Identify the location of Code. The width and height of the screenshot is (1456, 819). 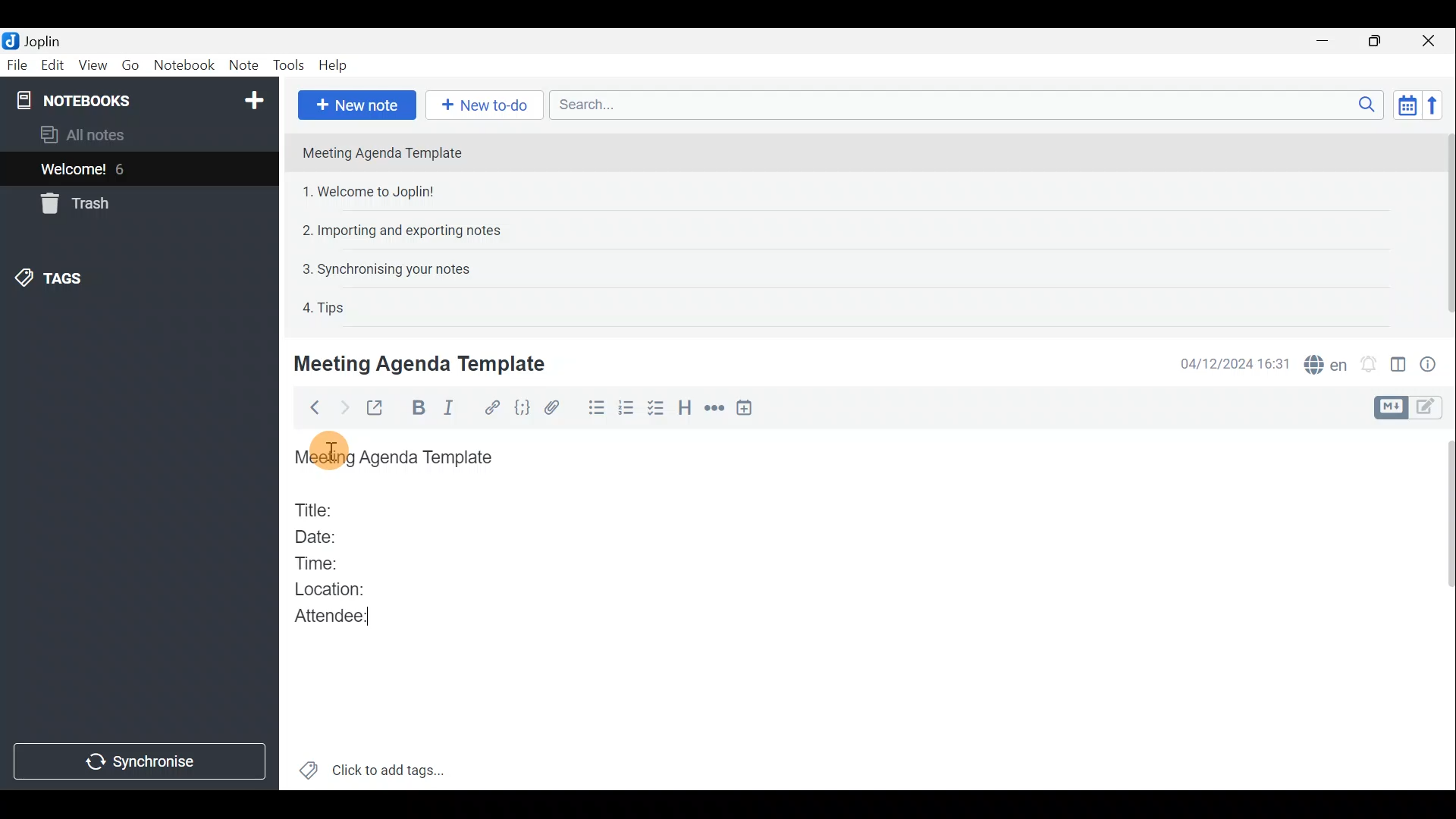
(524, 410).